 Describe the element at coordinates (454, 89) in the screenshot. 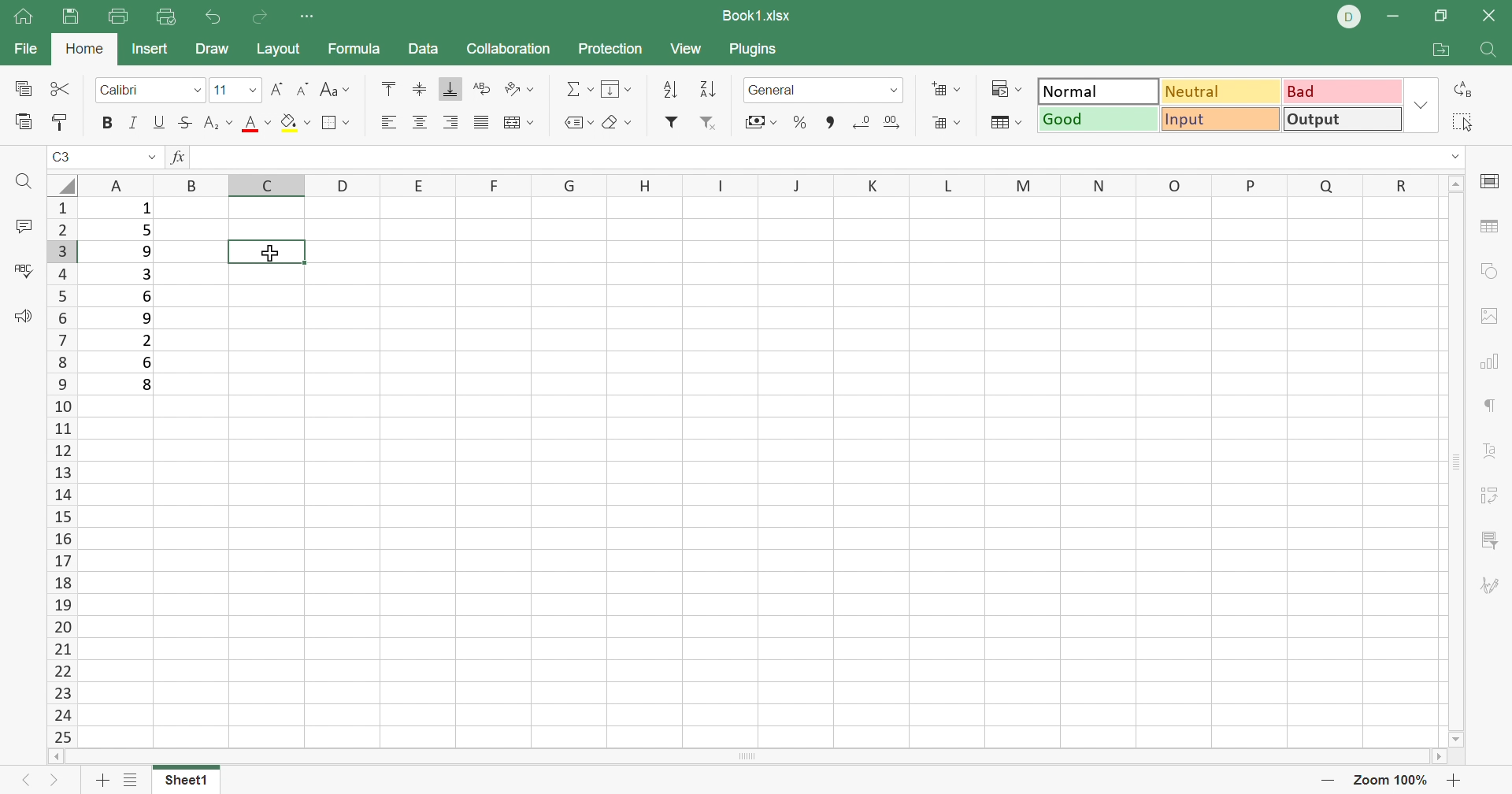

I see `Align bottom` at that location.